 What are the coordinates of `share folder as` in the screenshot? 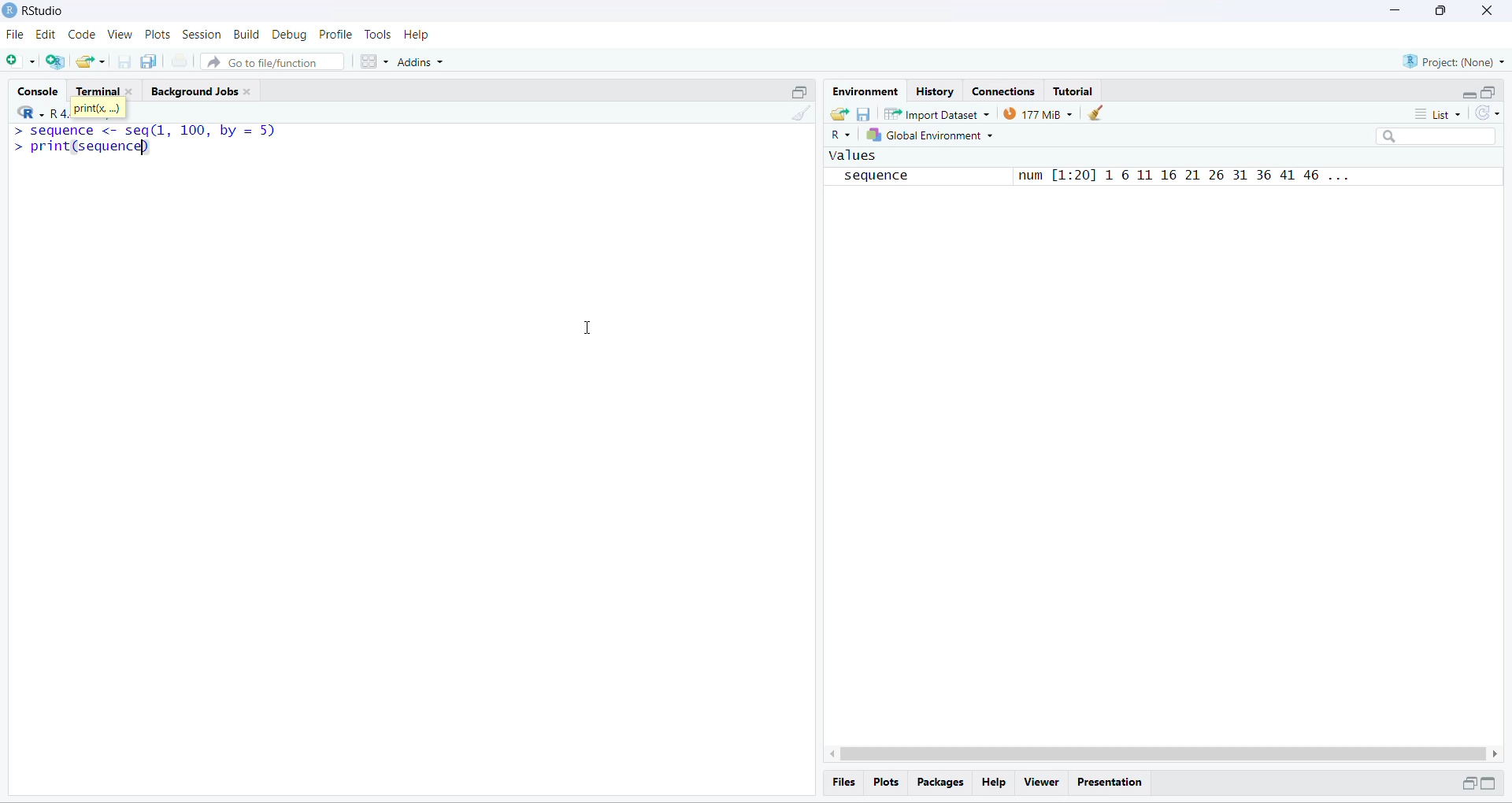 It's located at (92, 62).